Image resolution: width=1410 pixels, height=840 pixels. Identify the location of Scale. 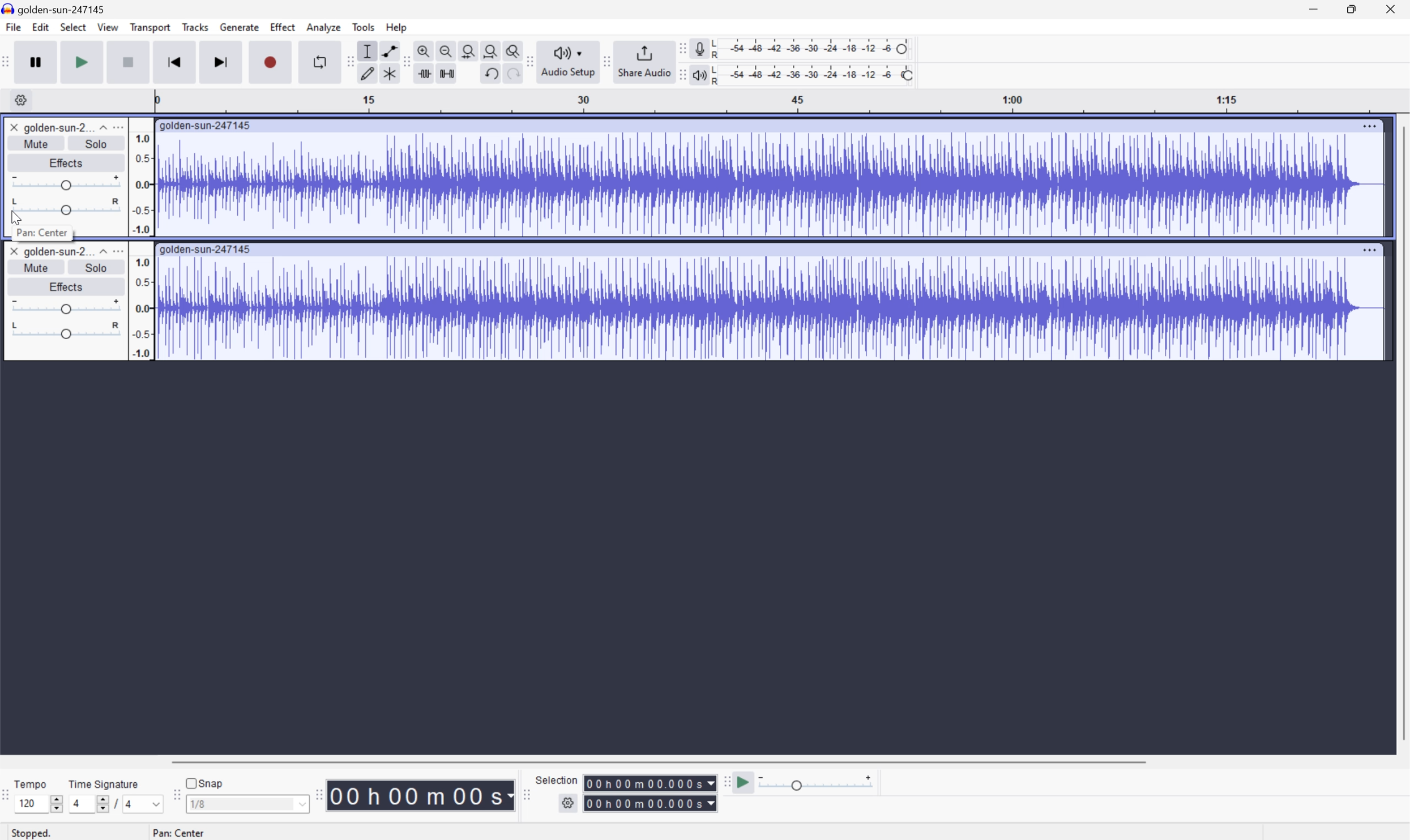
(782, 101).